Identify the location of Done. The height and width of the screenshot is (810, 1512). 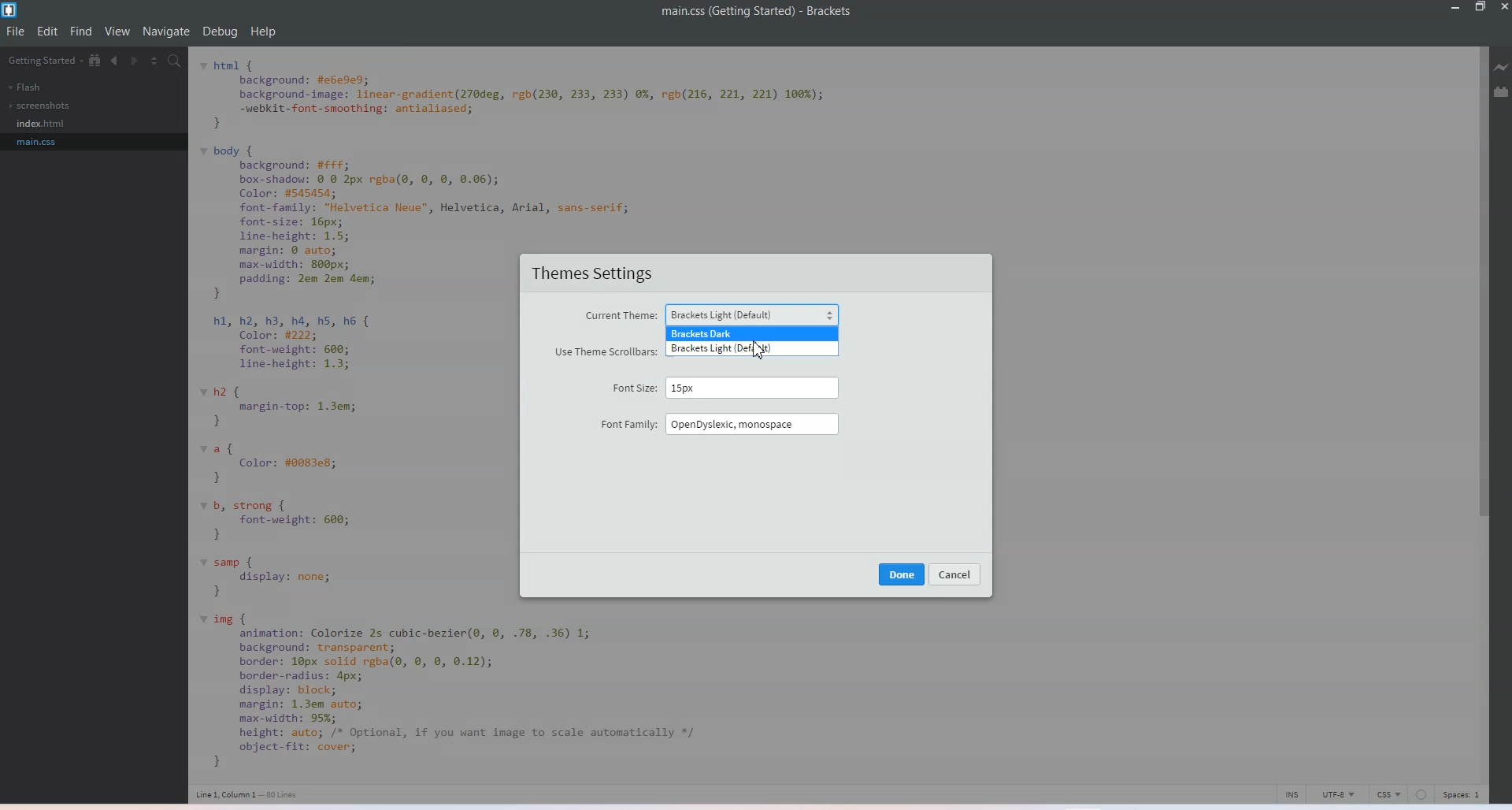
(902, 574).